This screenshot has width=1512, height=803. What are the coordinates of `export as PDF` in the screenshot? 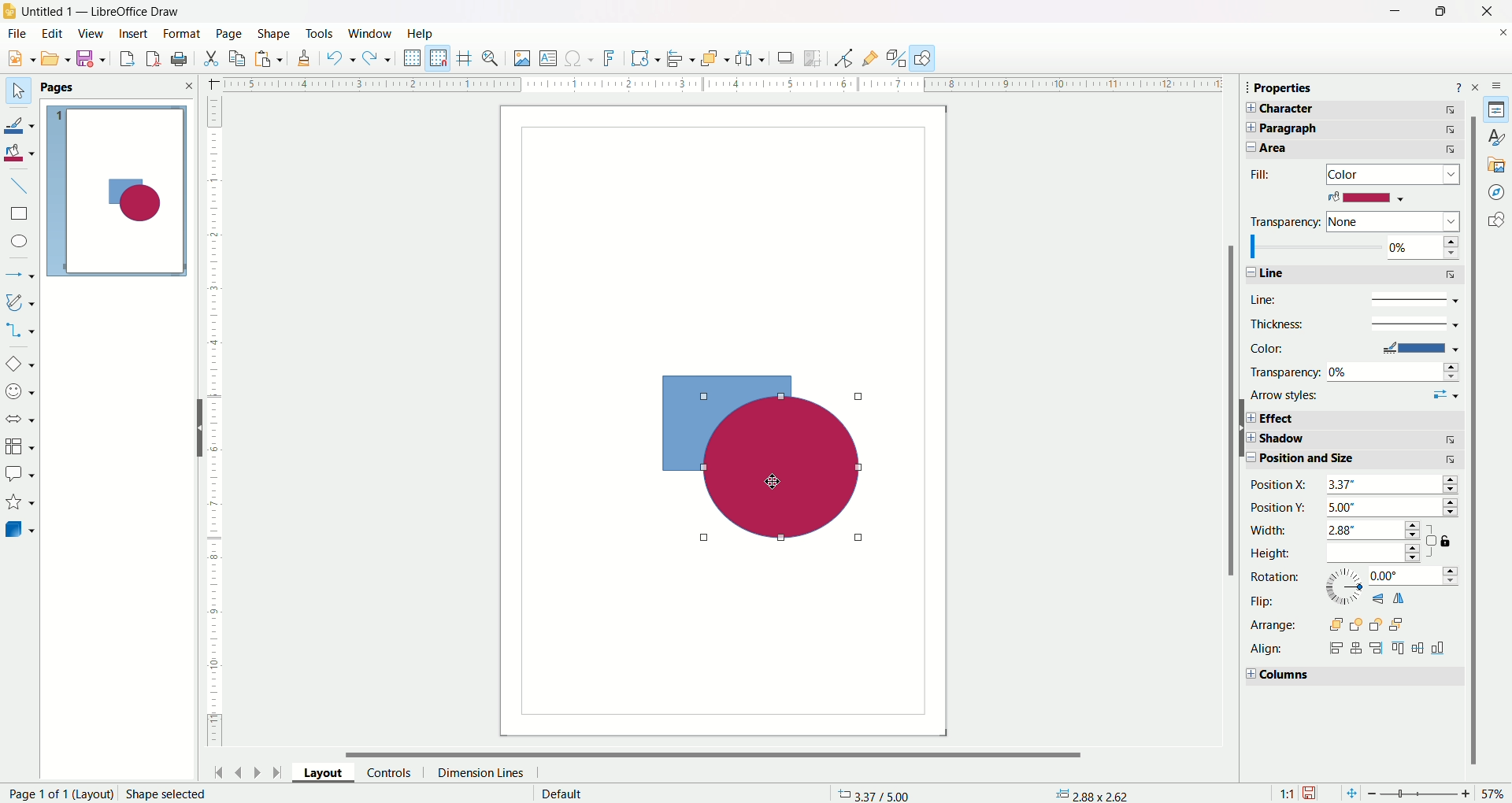 It's located at (150, 57).